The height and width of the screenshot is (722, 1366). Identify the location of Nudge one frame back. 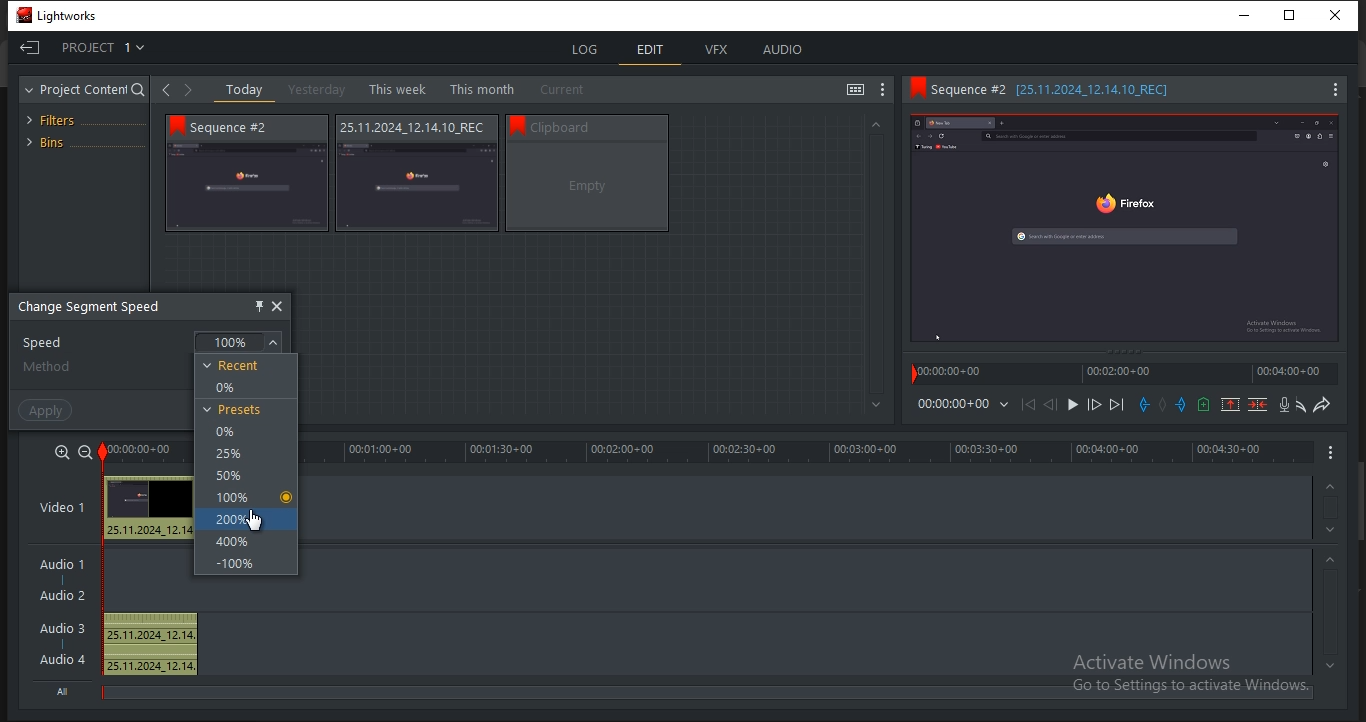
(1051, 405).